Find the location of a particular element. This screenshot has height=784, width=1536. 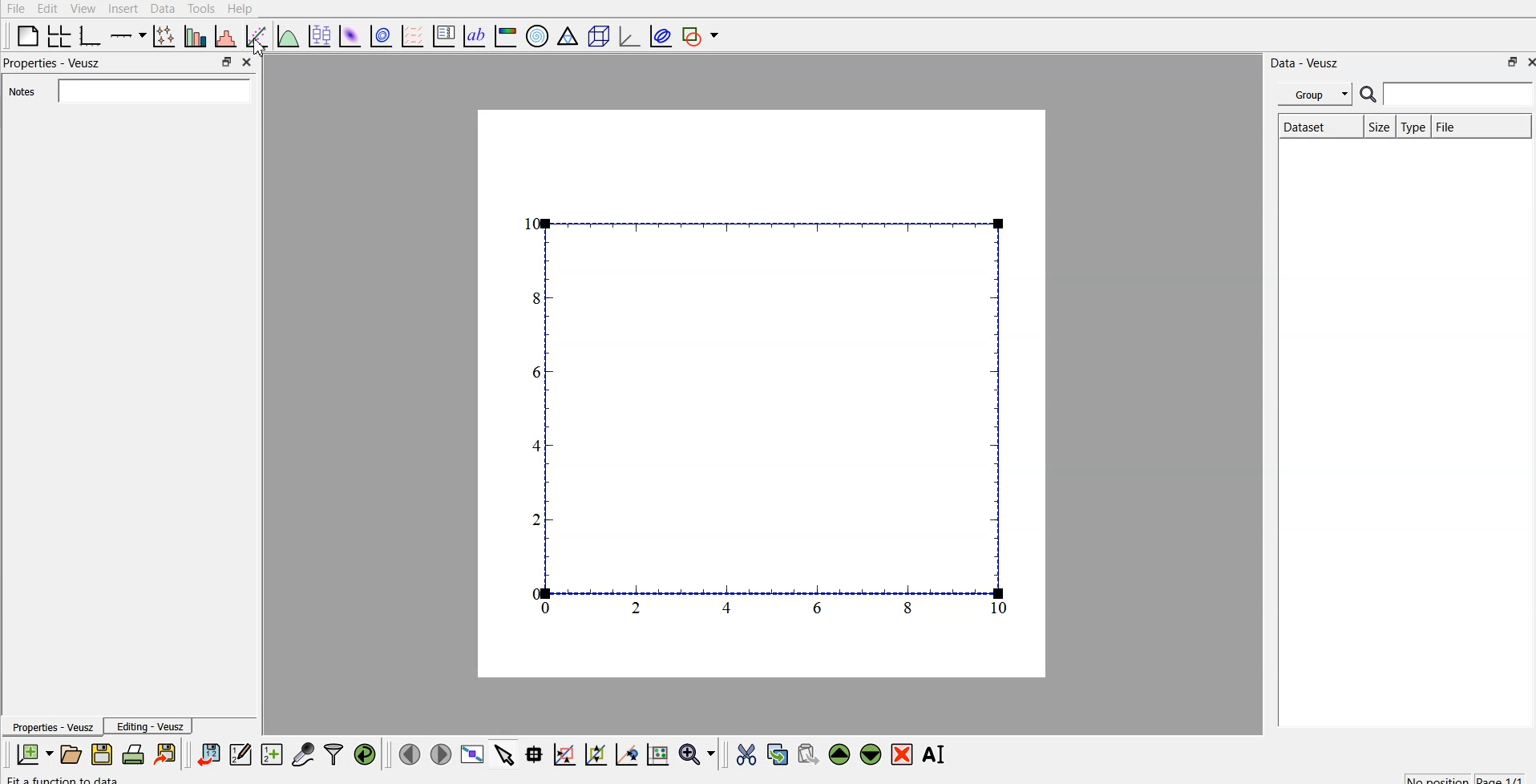

paste the selected widget is located at coordinates (807, 754).